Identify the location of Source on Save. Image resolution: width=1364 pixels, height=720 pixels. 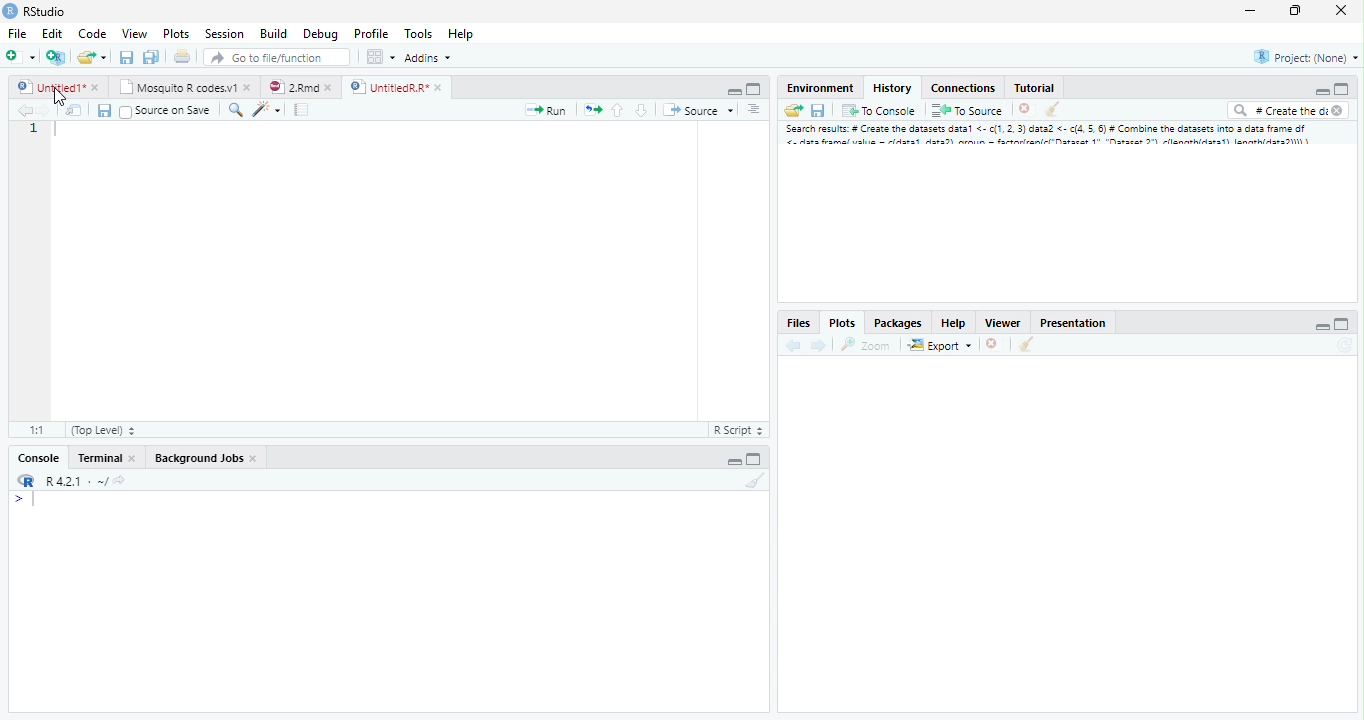
(165, 112).